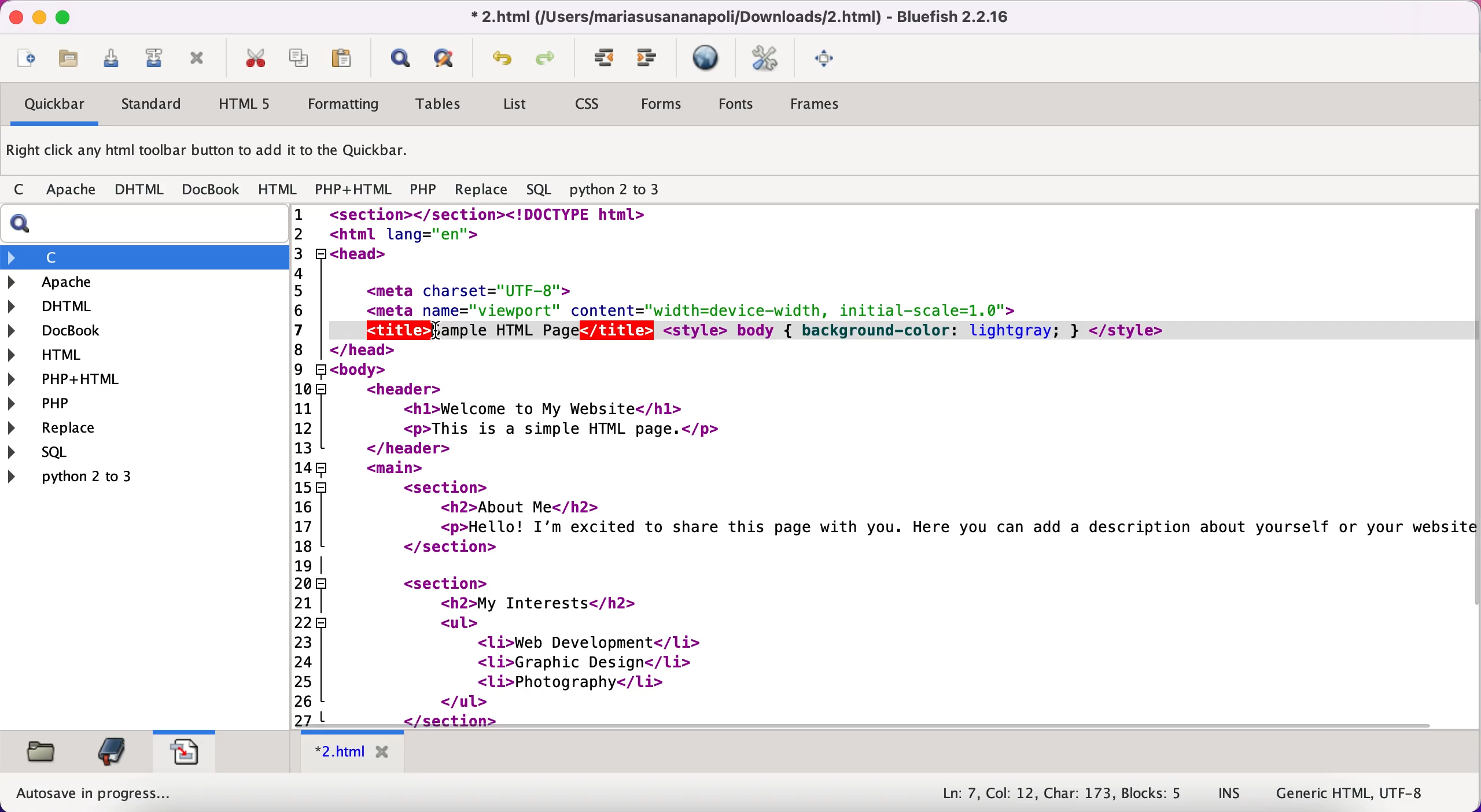  What do you see at coordinates (549, 60) in the screenshot?
I see `redo` at bounding box center [549, 60].